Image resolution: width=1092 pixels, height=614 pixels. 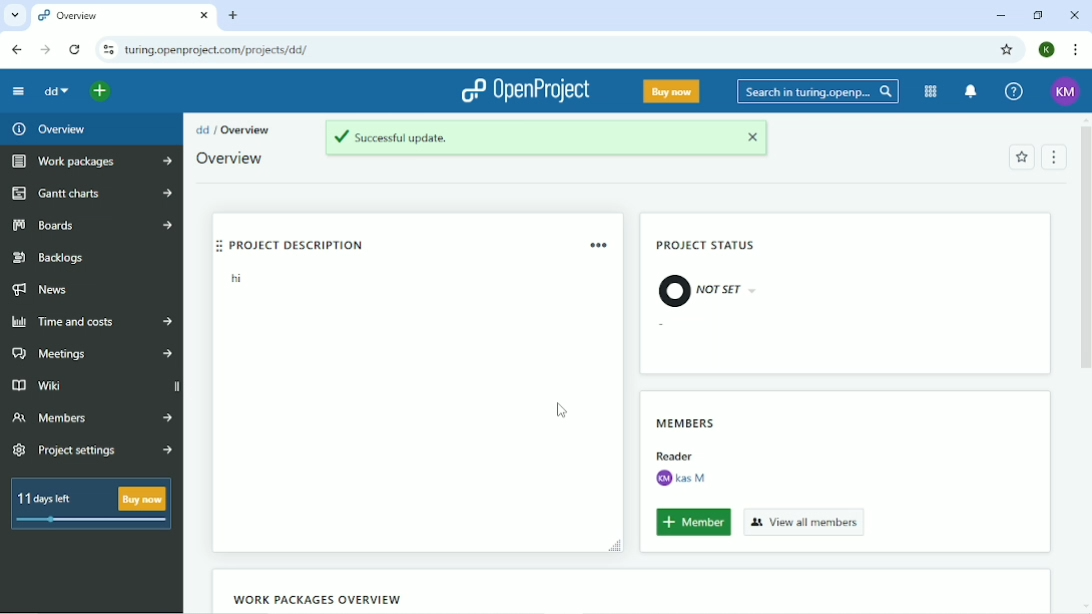 What do you see at coordinates (18, 91) in the screenshot?
I see `Collapse project menu` at bounding box center [18, 91].